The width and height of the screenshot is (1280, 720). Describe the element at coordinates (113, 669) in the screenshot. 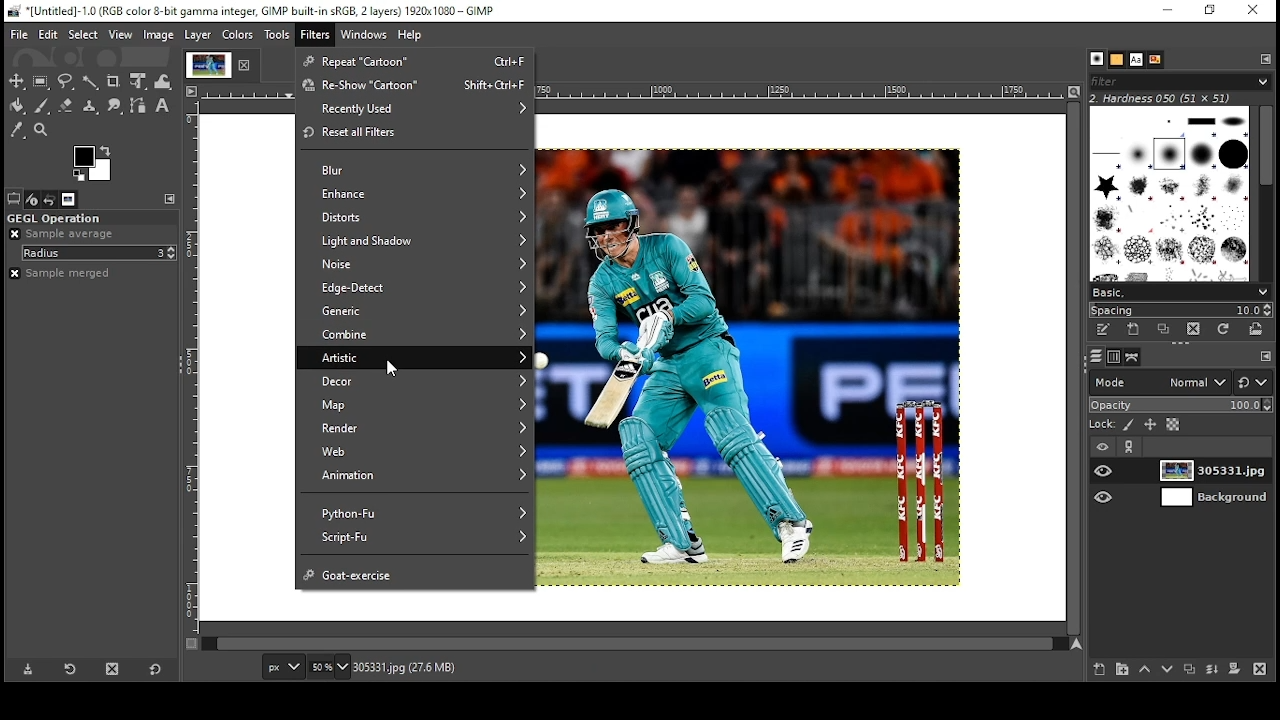

I see `delete tool preset` at that location.